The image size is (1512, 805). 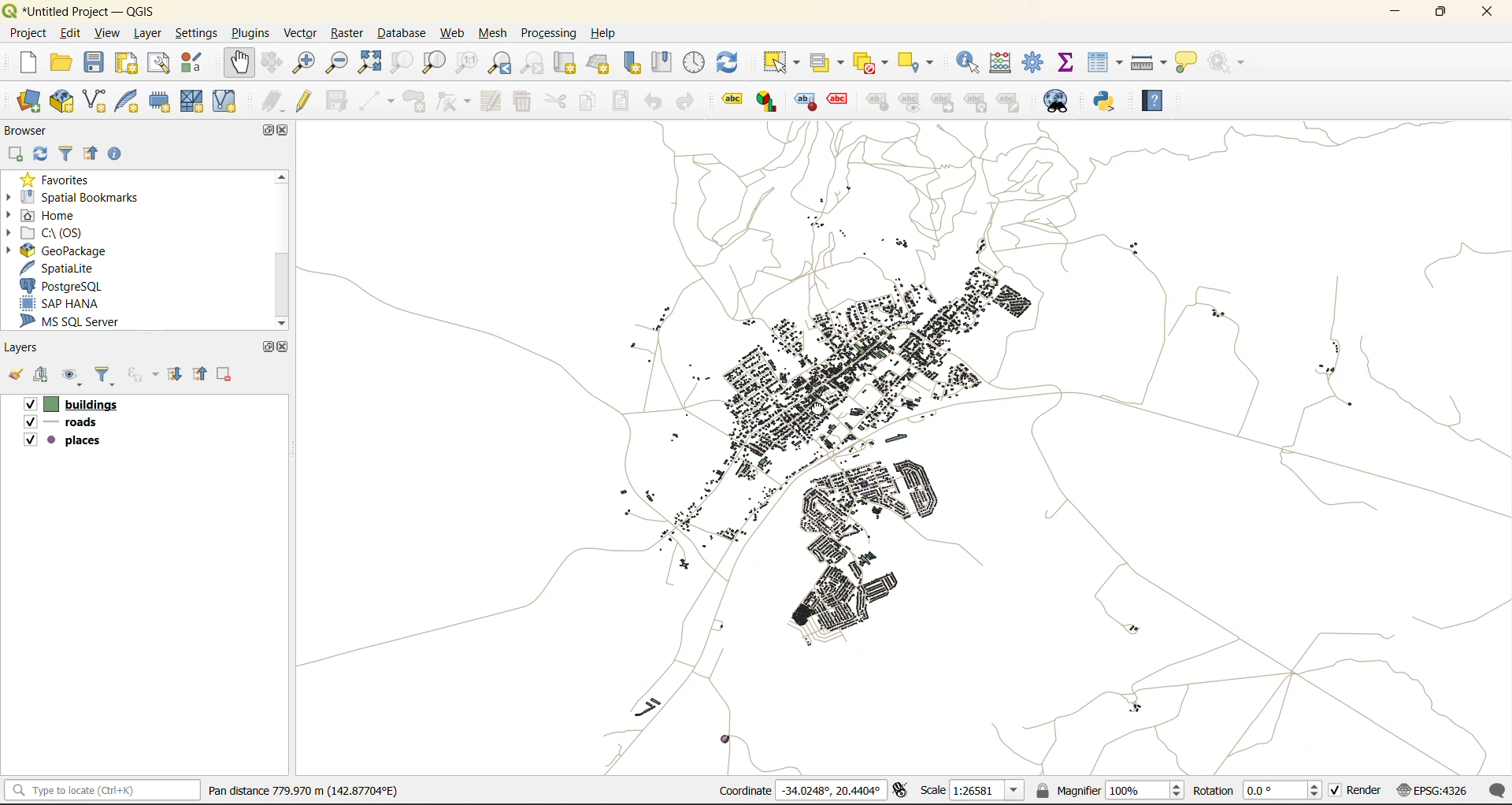 I want to click on metadata, so click(x=303, y=793).